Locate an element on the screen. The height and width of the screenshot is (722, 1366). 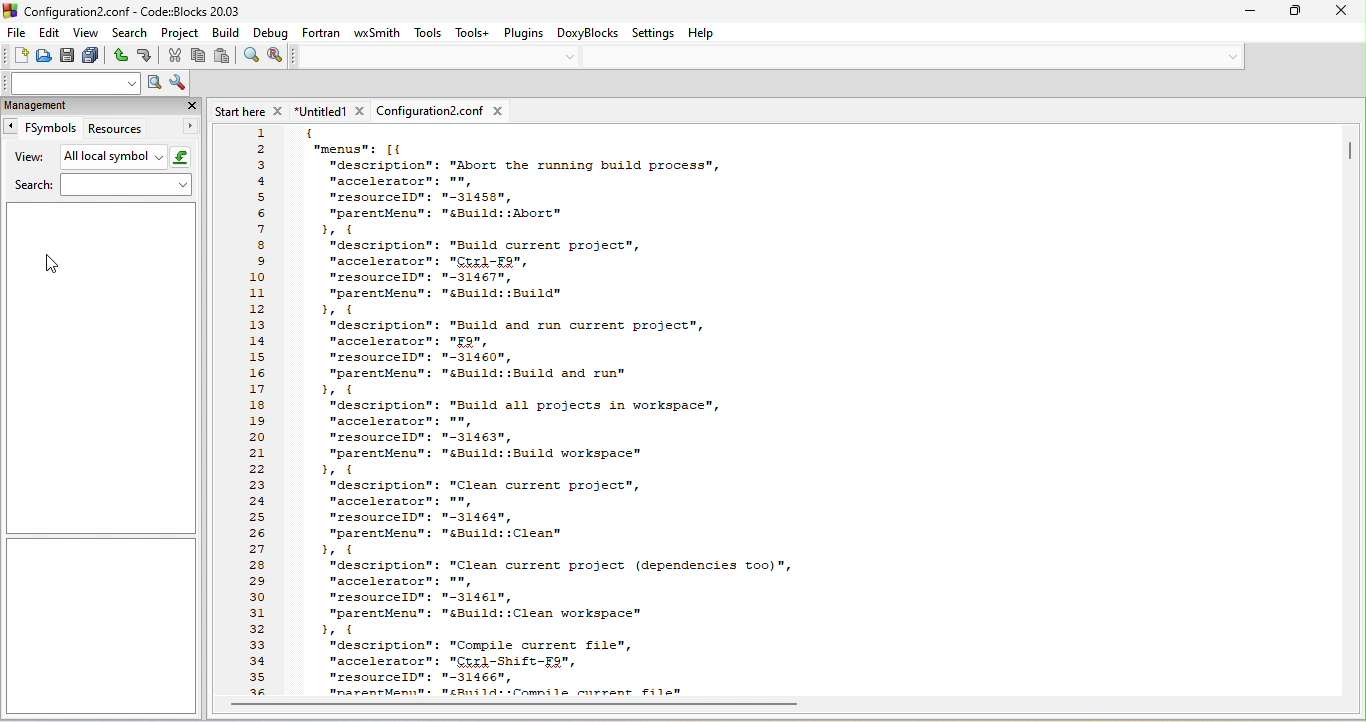
start here is located at coordinates (251, 111).